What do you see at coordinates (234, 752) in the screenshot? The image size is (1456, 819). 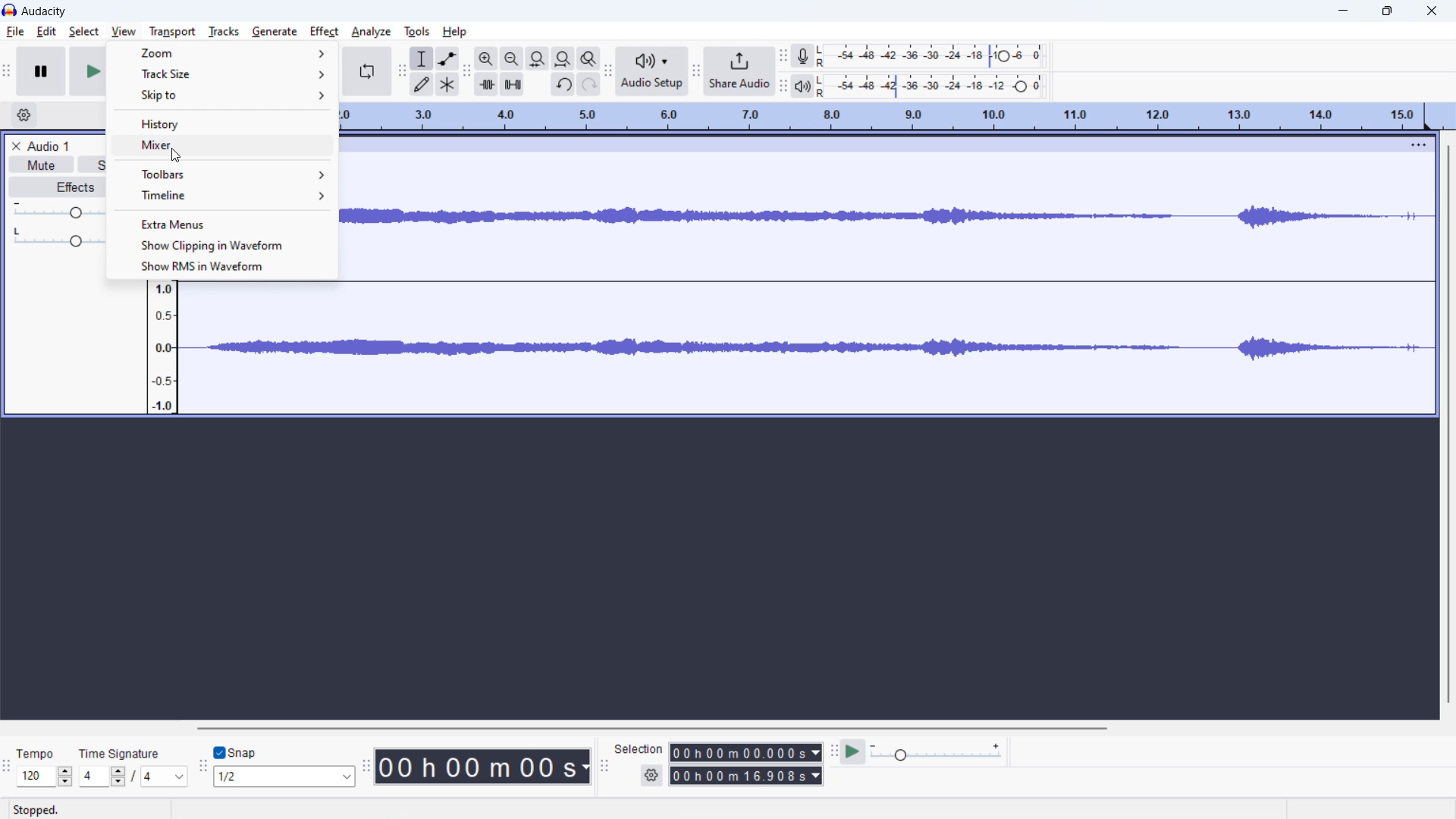 I see `toggle snap` at bounding box center [234, 752].